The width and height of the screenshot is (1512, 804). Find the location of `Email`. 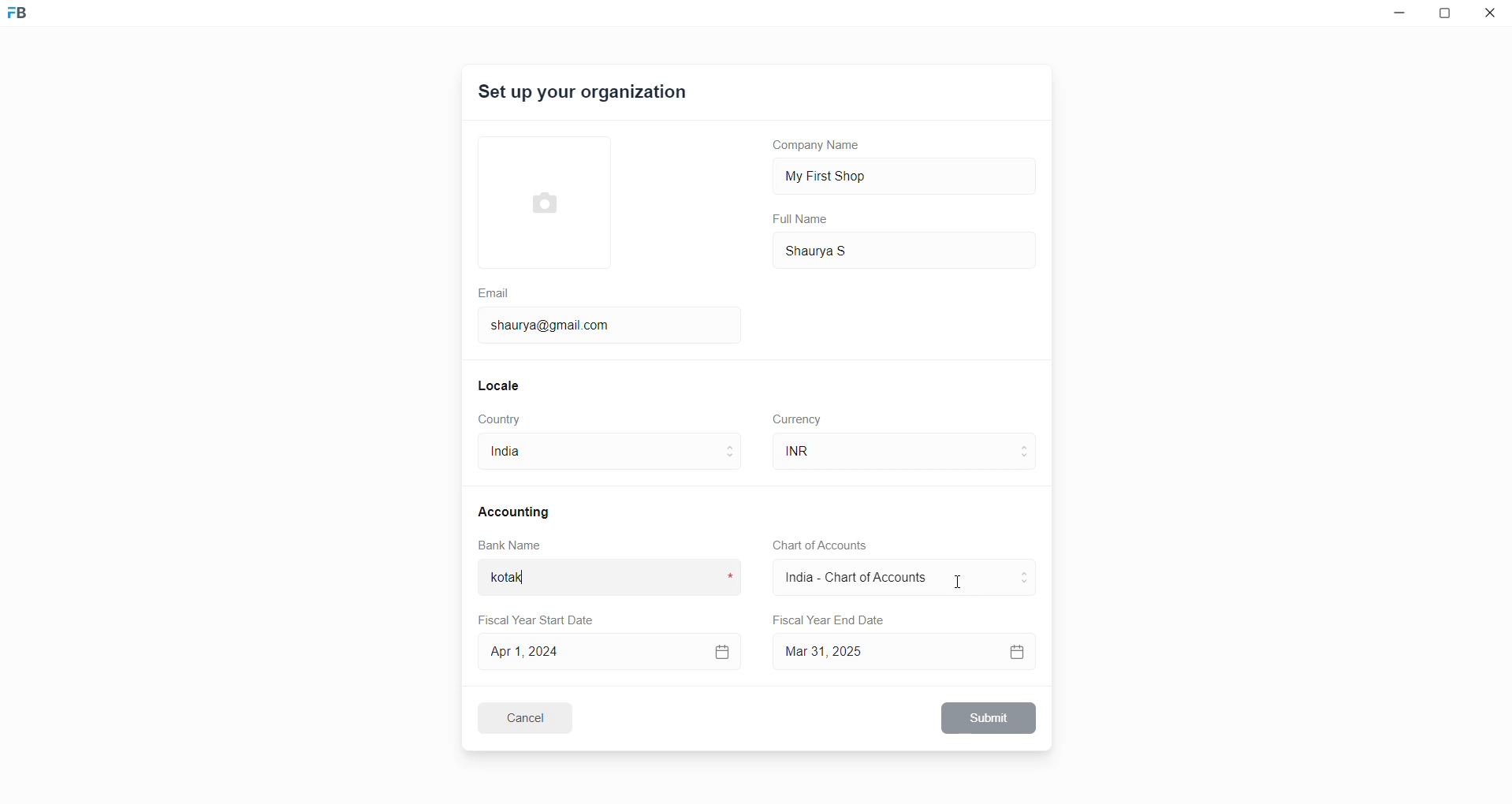

Email is located at coordinates (496, 291).